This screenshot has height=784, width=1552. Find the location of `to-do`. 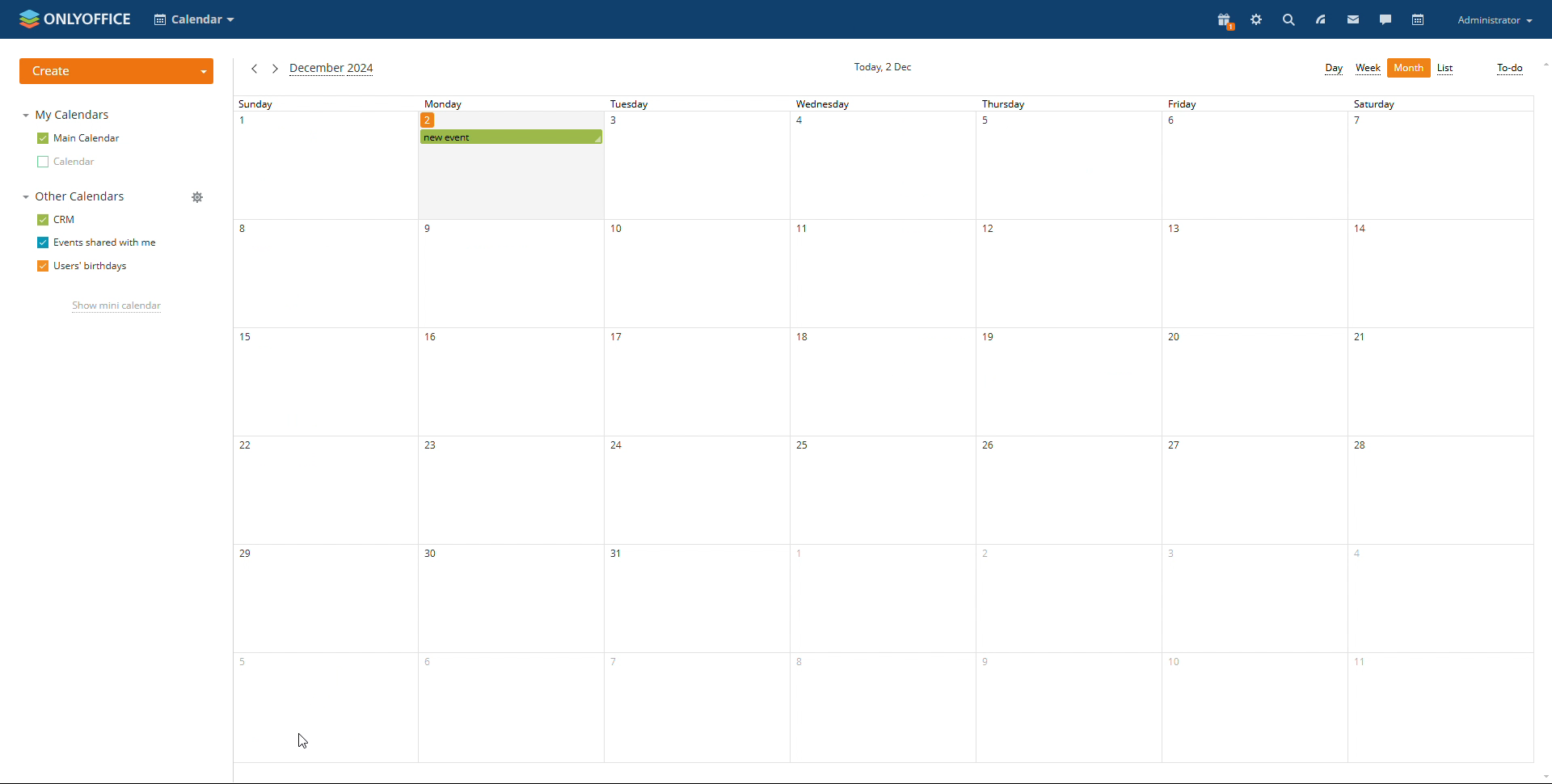

to-do is located at coordinates (1511, 70).